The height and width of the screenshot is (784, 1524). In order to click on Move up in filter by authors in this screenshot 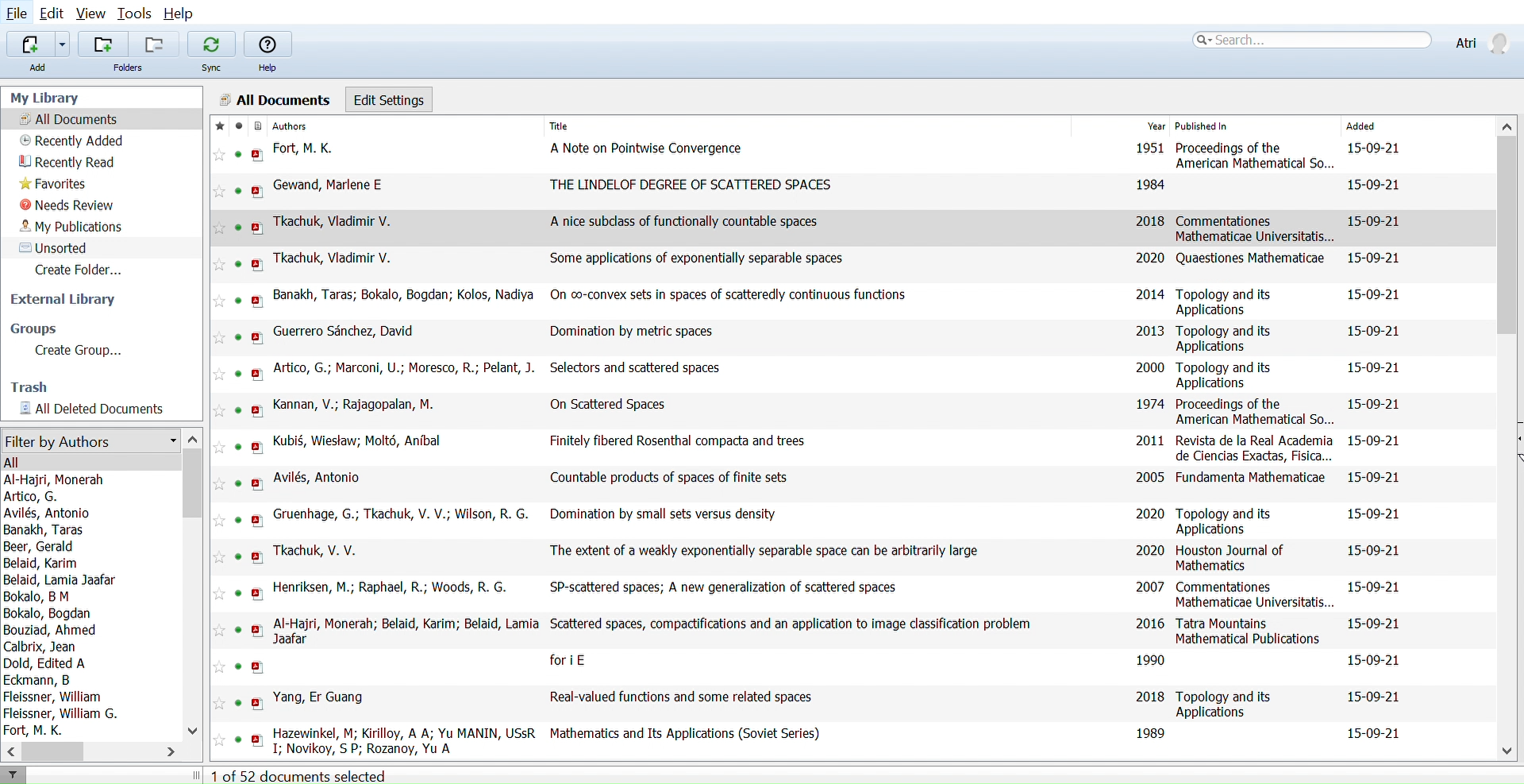, I will do `click(192, 437)`.